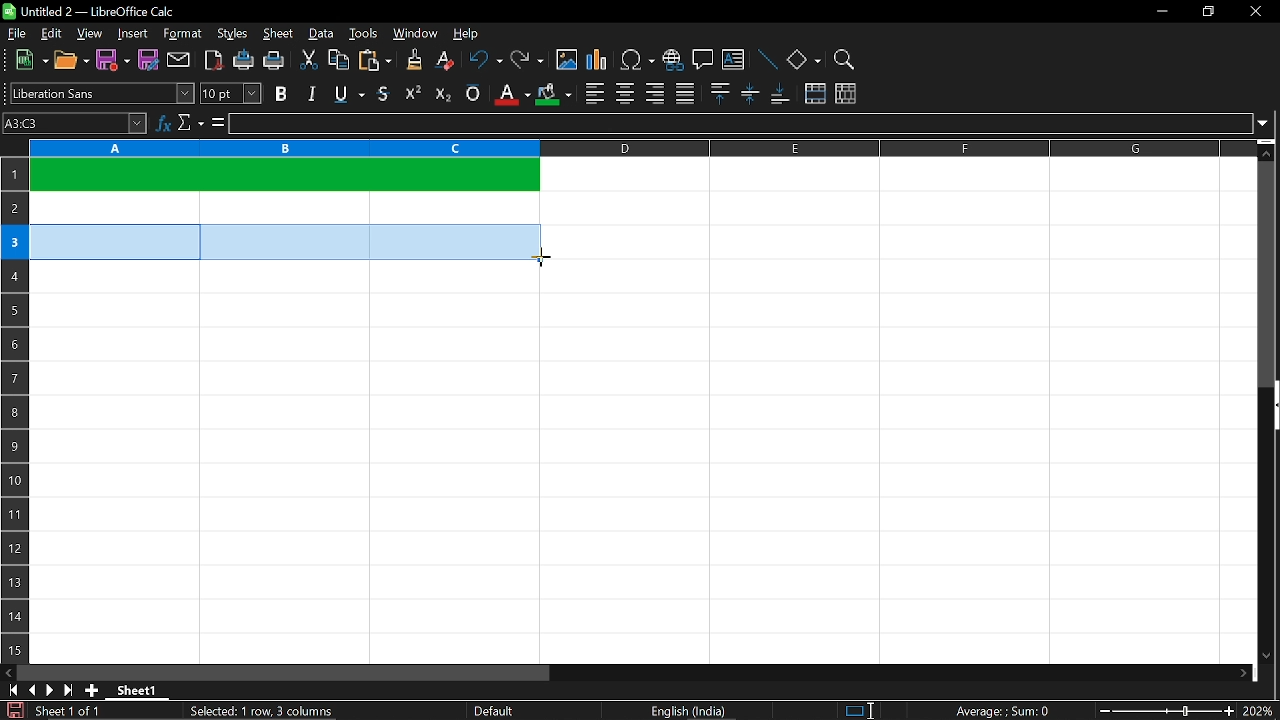 Image resolution: width=1280 pixels, height=720 pixels. I want to click on merge cells, so click(815, 94).